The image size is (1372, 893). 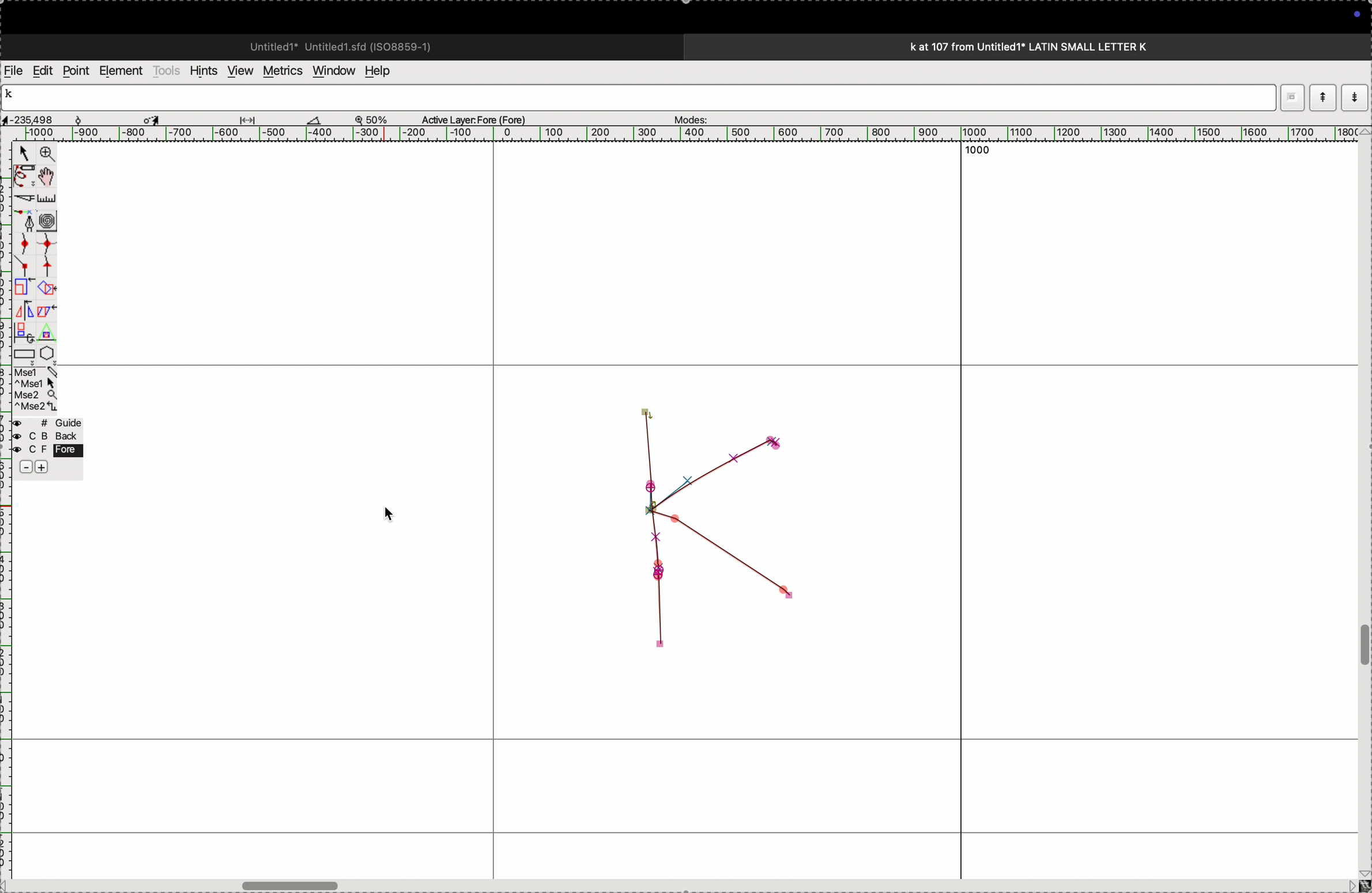 I want to click on K, so click(x=14, y=96).